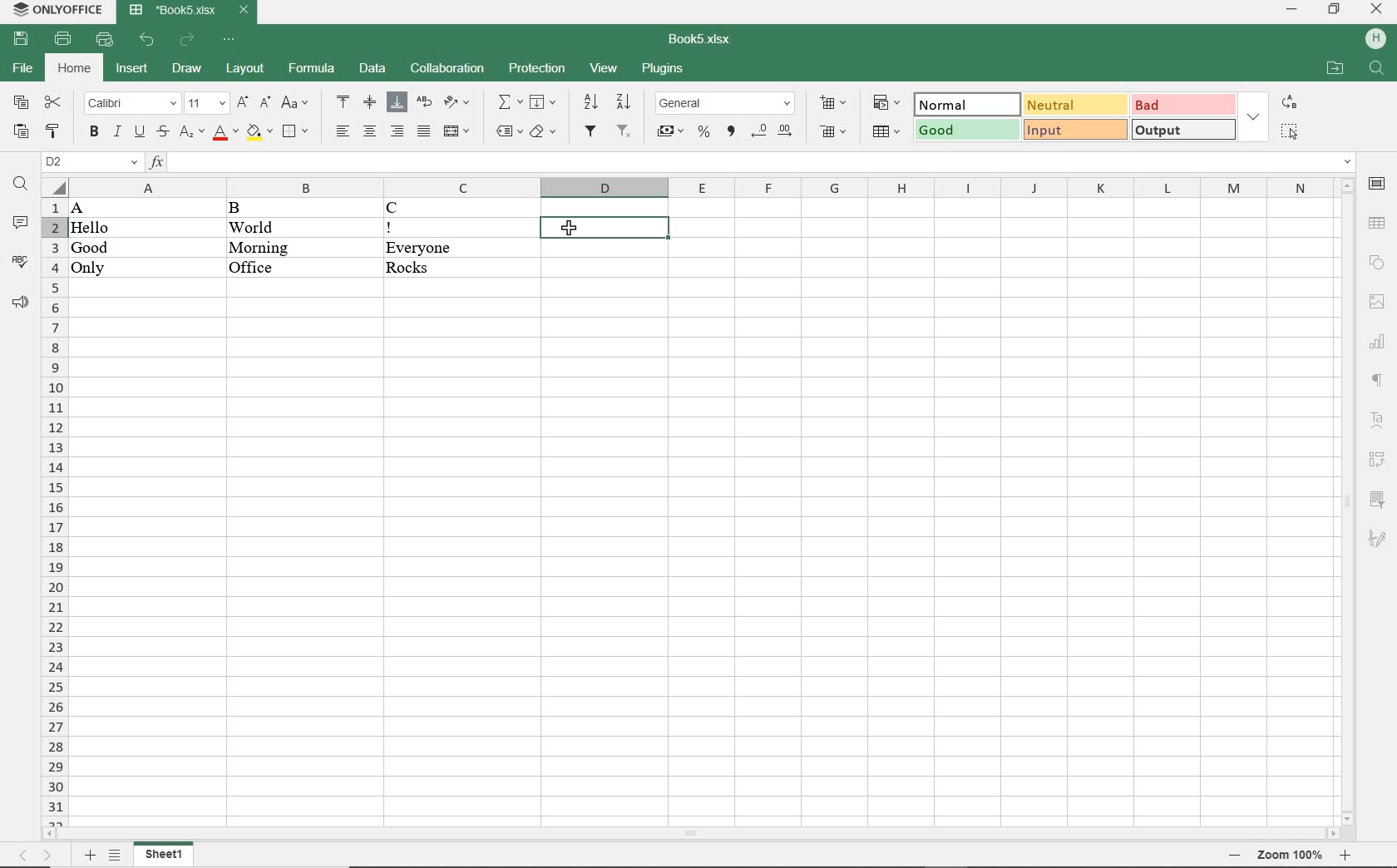 The image size is (1397, 868). Describe the element at coordinates (89, 854) in the screenshot. I see `ADD SHEETS` at that location.